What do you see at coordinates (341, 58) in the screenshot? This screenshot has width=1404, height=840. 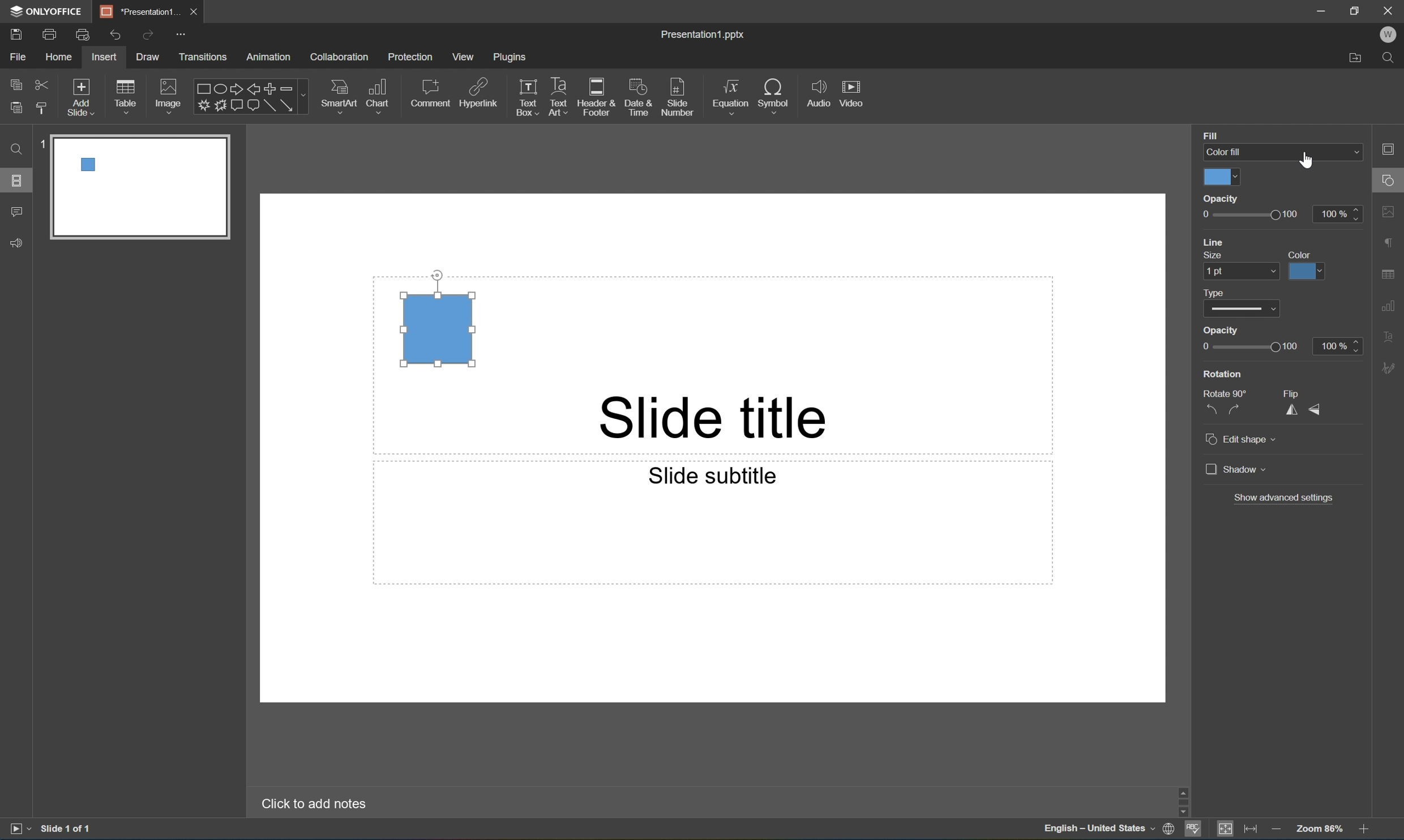 I see `Collaboration` at bounding box center [341, 58].